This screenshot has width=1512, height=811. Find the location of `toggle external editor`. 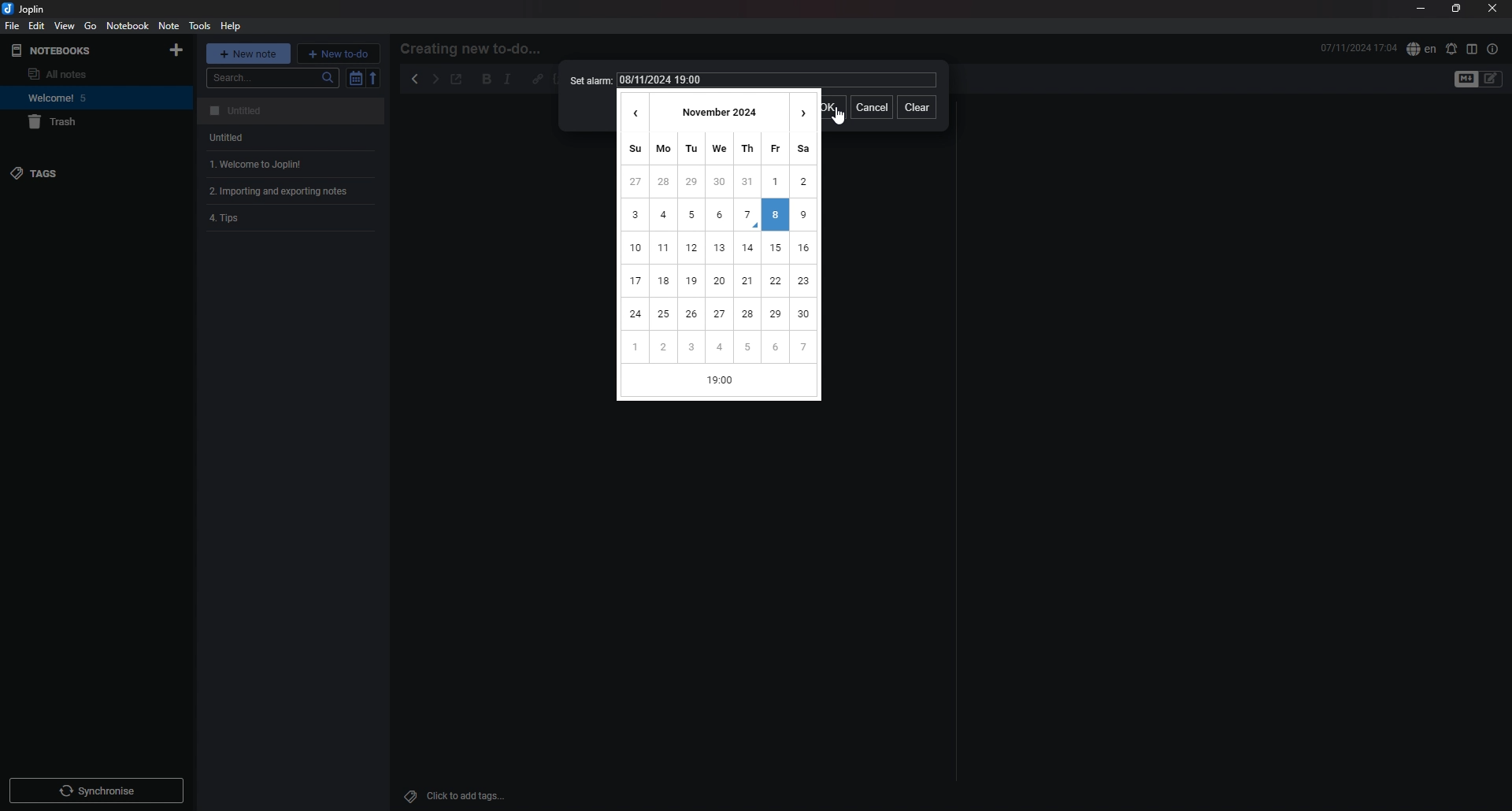

toggle external editor is located at coordinates (458, 80).